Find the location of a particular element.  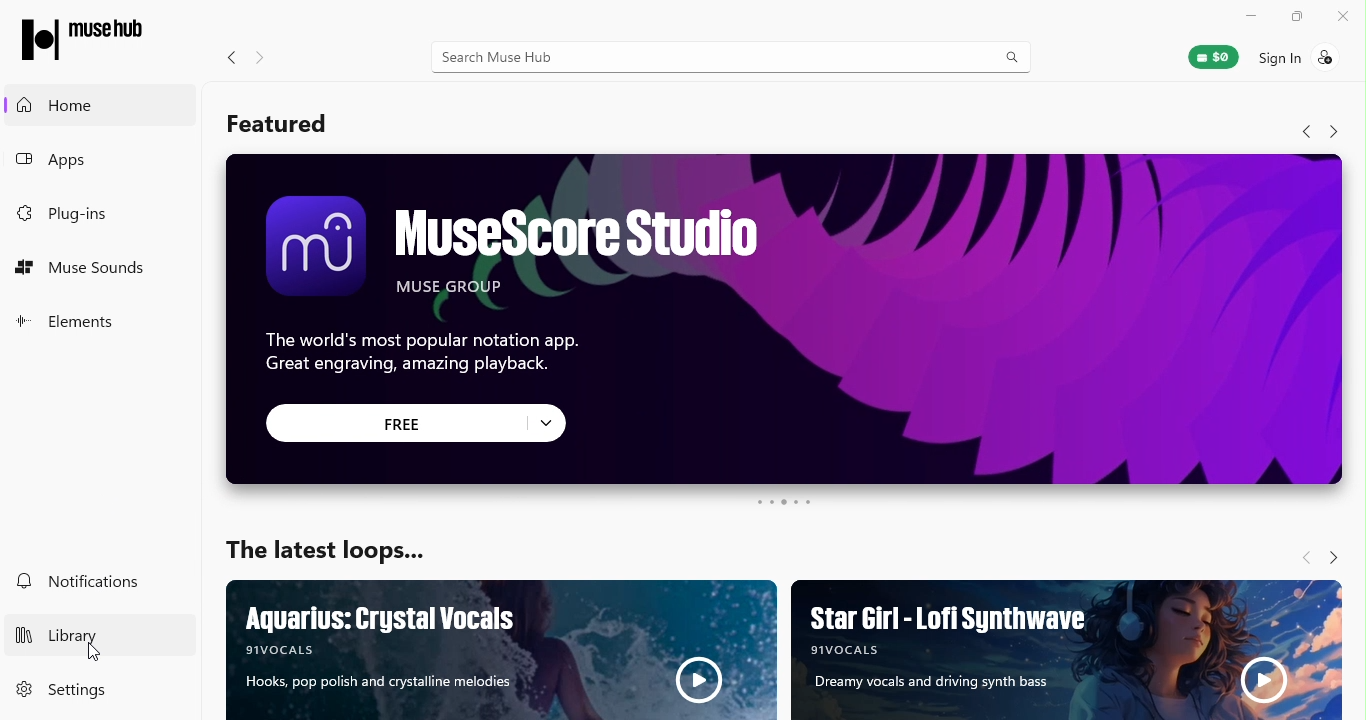

Navigate forward is located at coordinates (1328, 557).